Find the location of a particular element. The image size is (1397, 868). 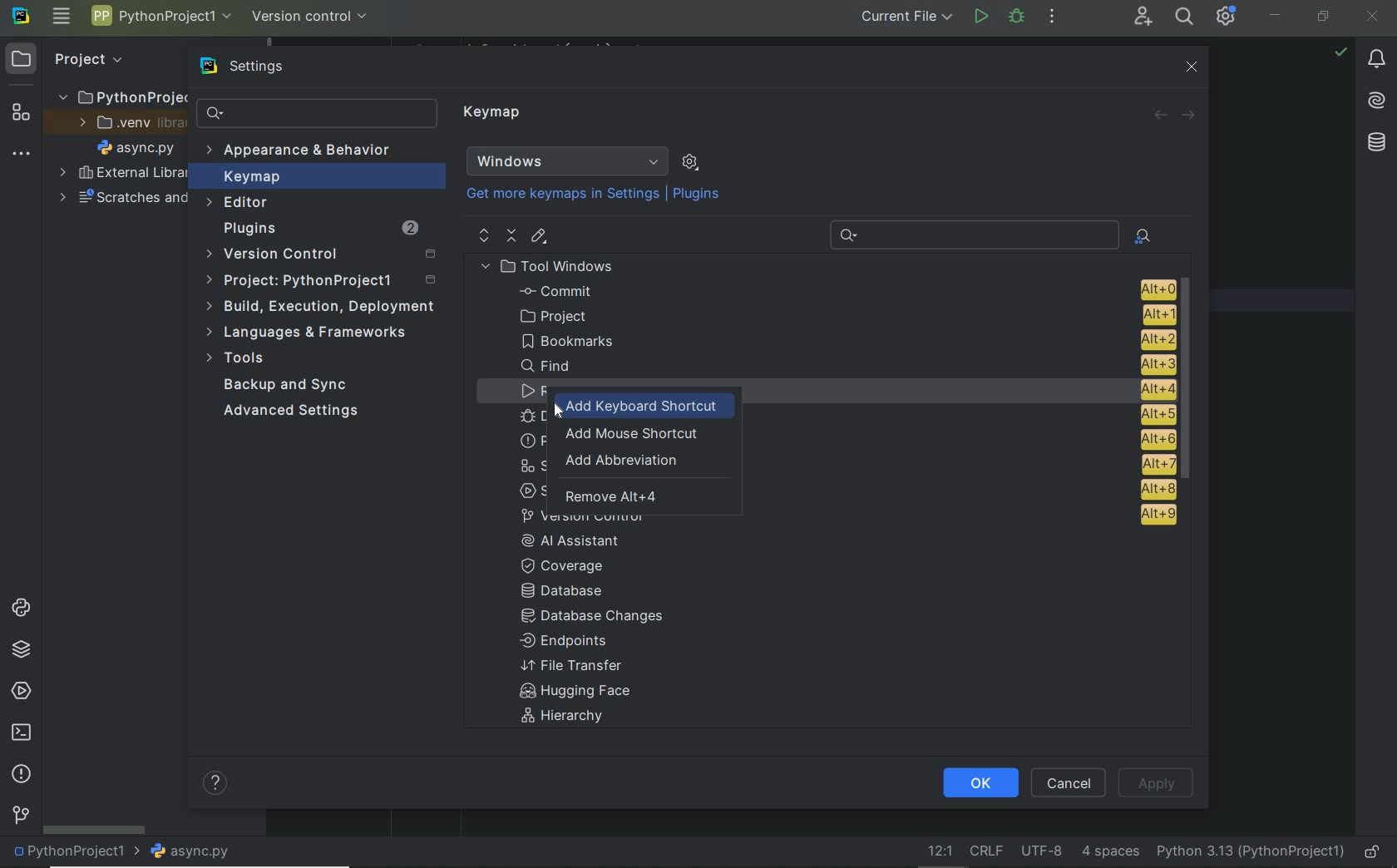

version control is located at coordinates (21, 816).